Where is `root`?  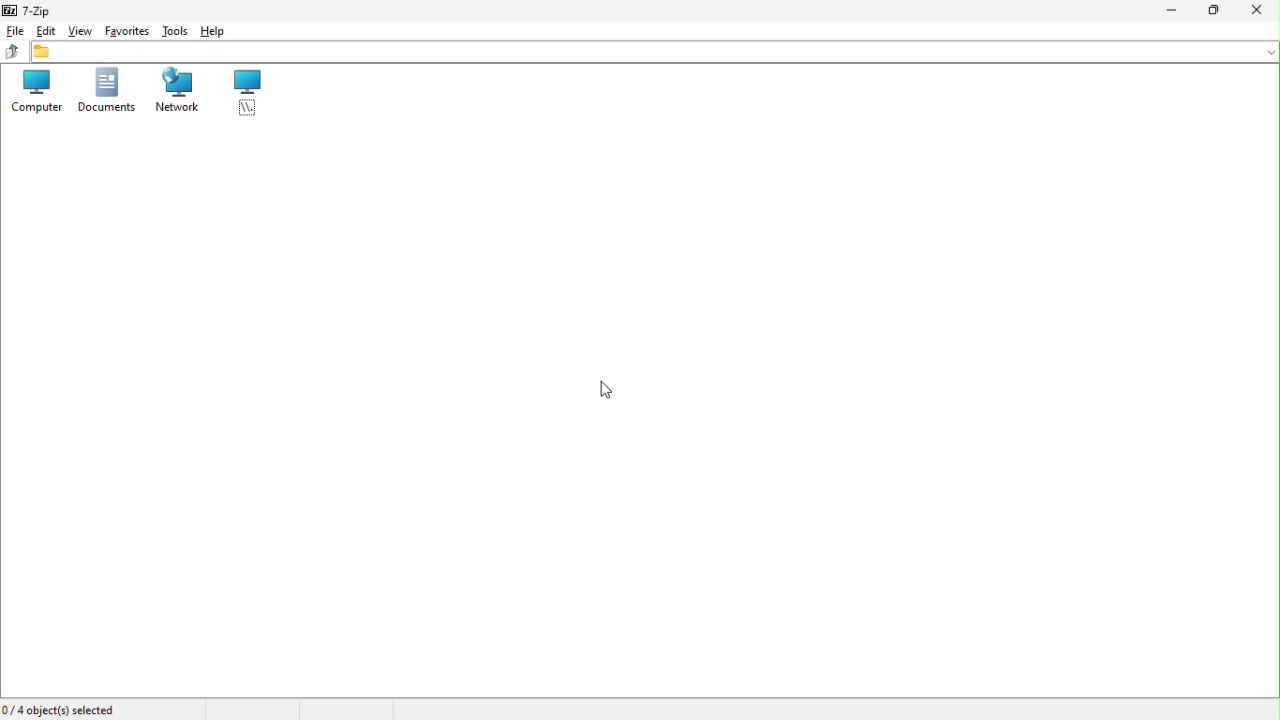
root is located at coordinates (247, 94).